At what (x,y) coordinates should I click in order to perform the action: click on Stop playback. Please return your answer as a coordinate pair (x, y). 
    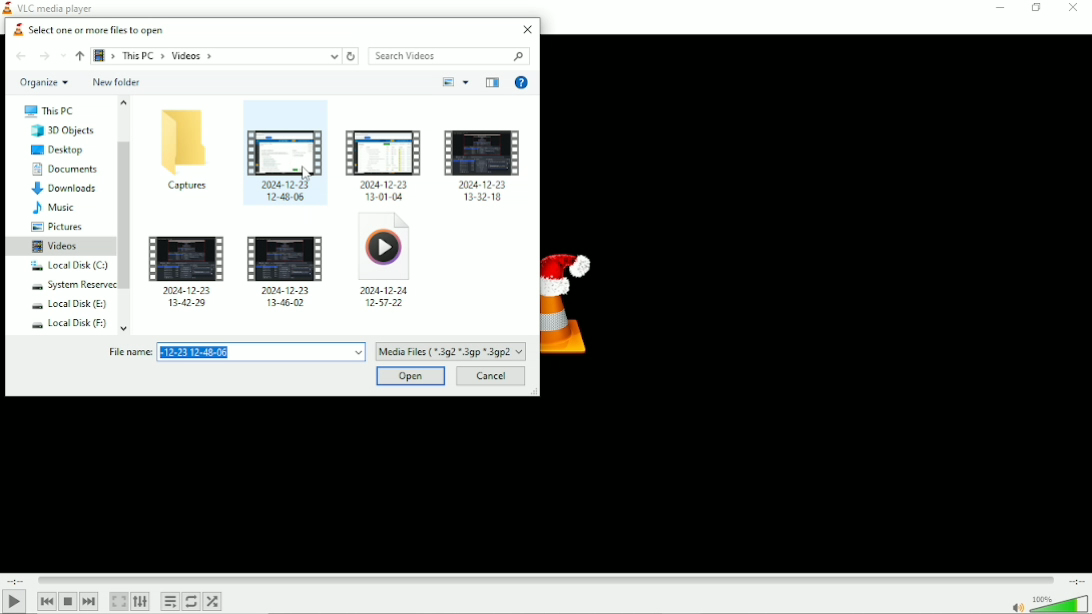
    Looking at the image, I should click on (68, 601).